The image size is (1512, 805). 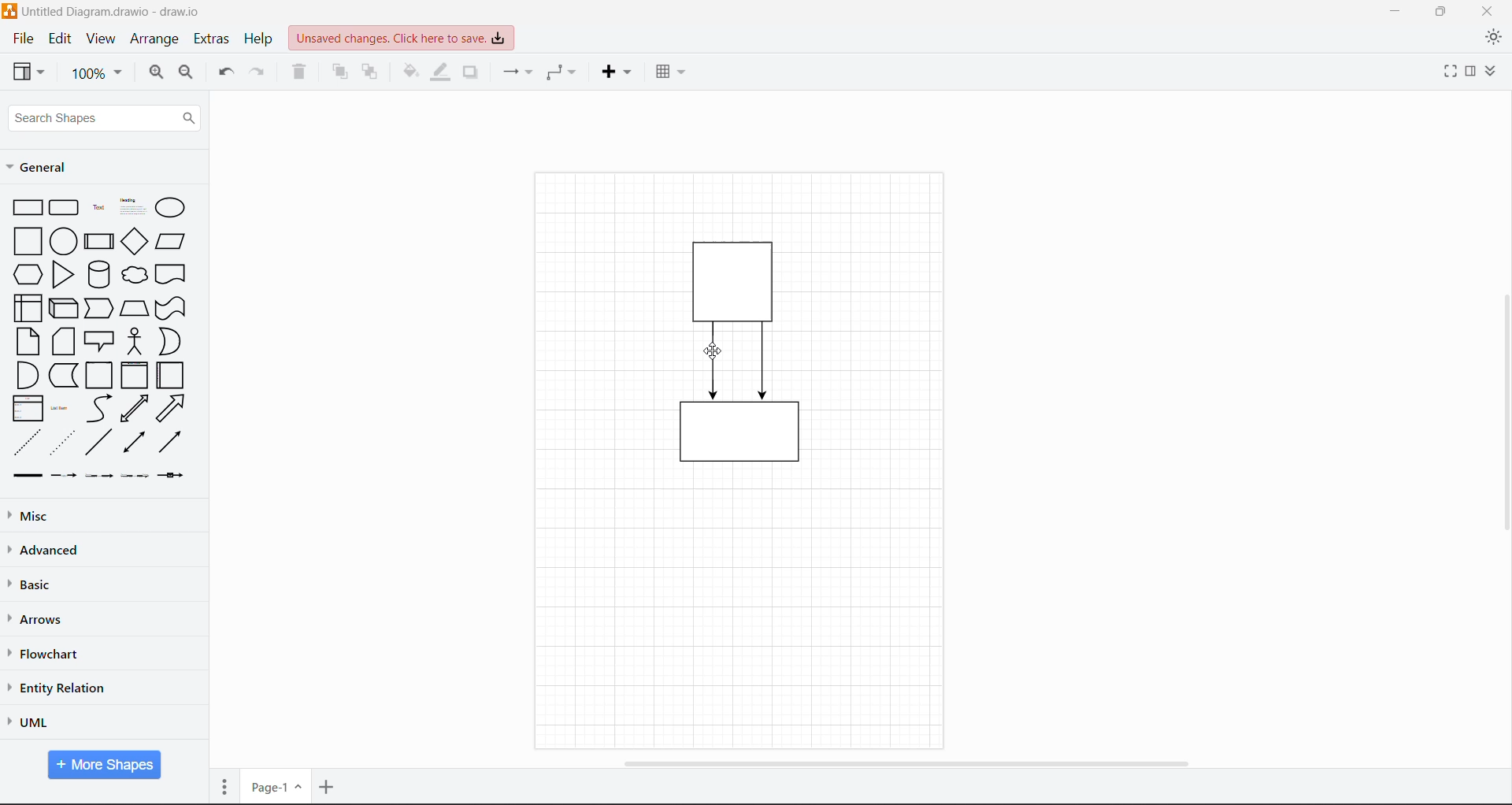 I want to click on Cloud, so click(x=135, y=275).